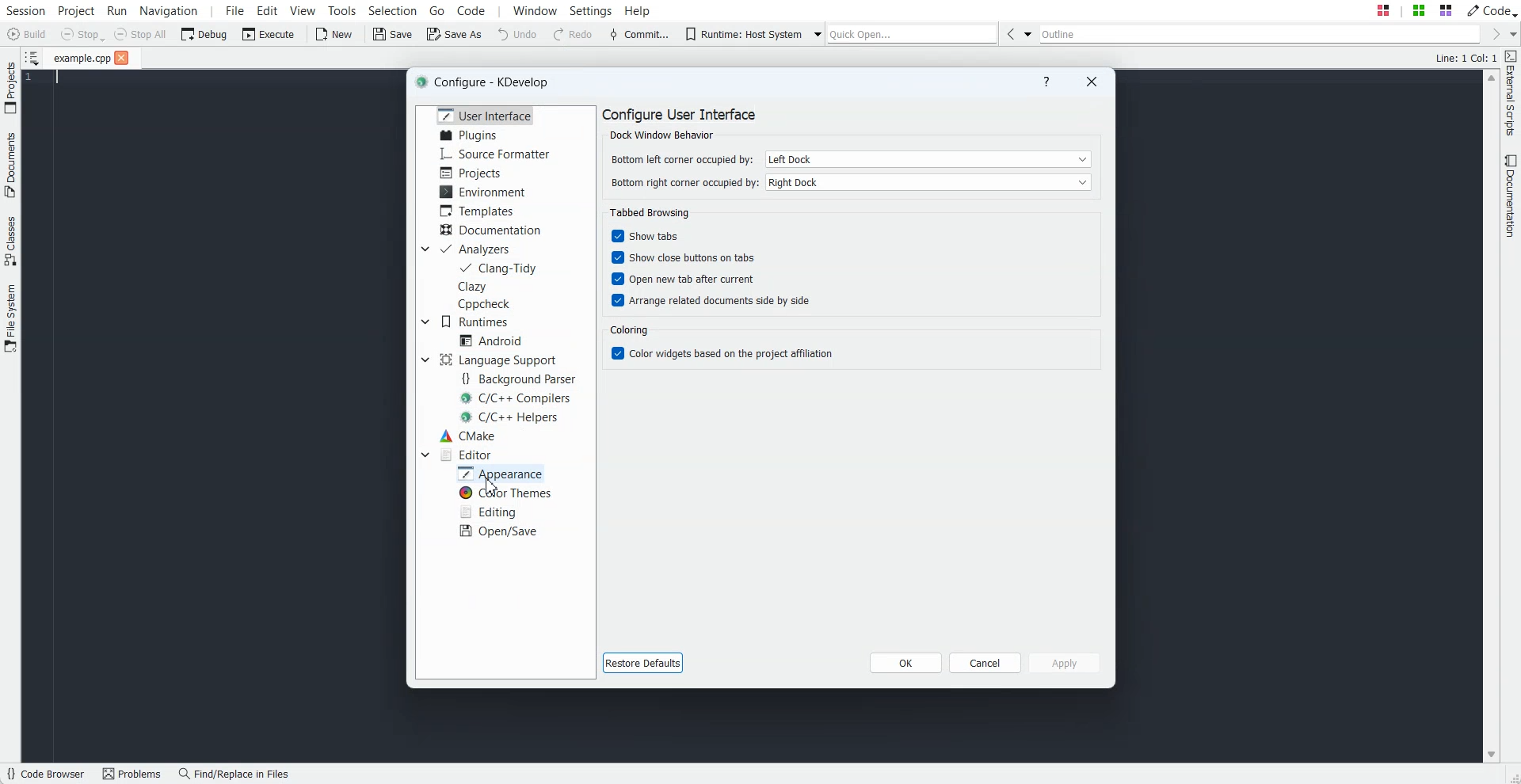  Describe the element at coordinates (709, 300) in the screenshot. I see `Enable Arrange related documents side by side` at that location.